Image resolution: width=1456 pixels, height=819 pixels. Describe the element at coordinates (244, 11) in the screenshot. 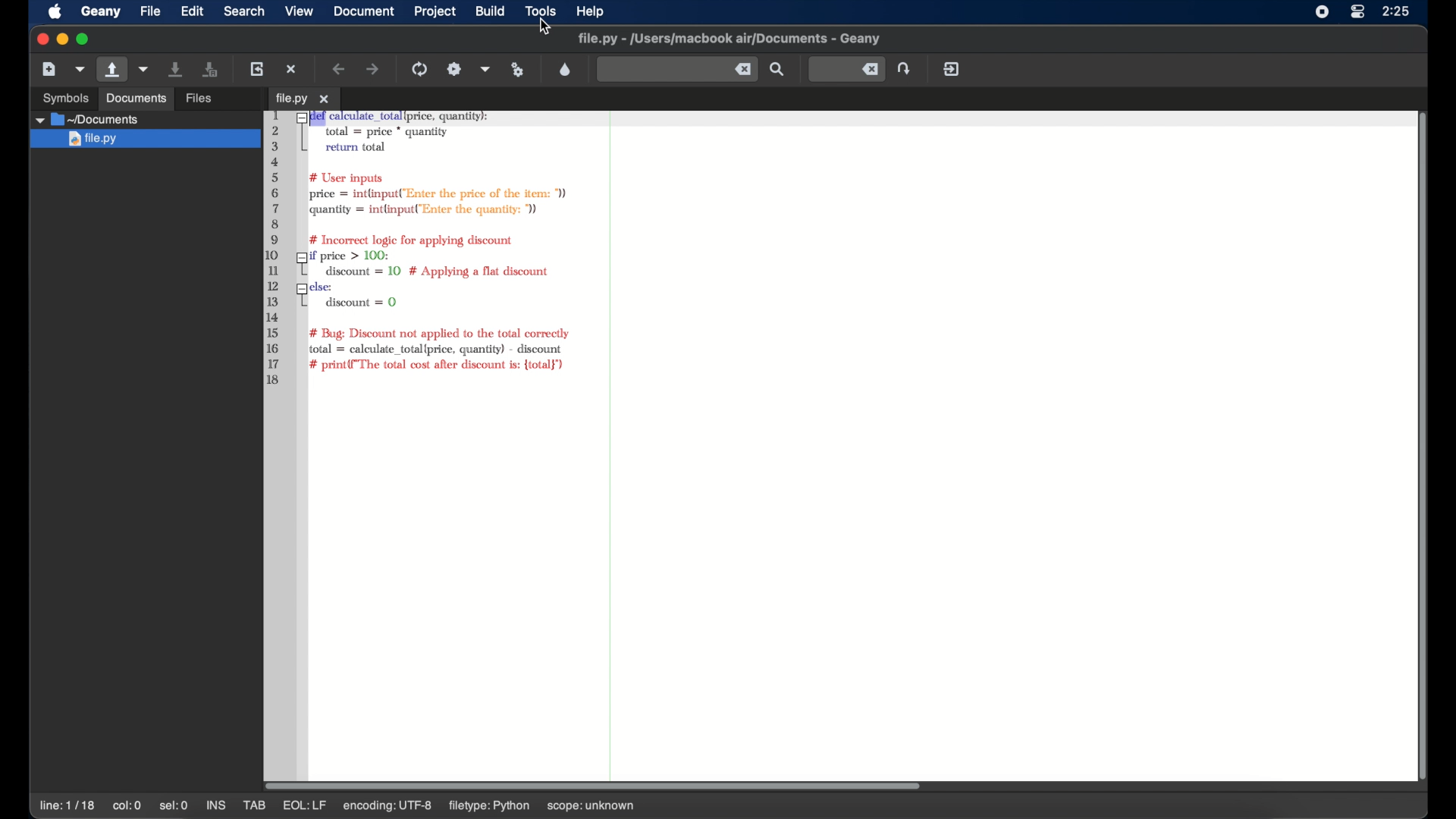

I see `search` at that location.